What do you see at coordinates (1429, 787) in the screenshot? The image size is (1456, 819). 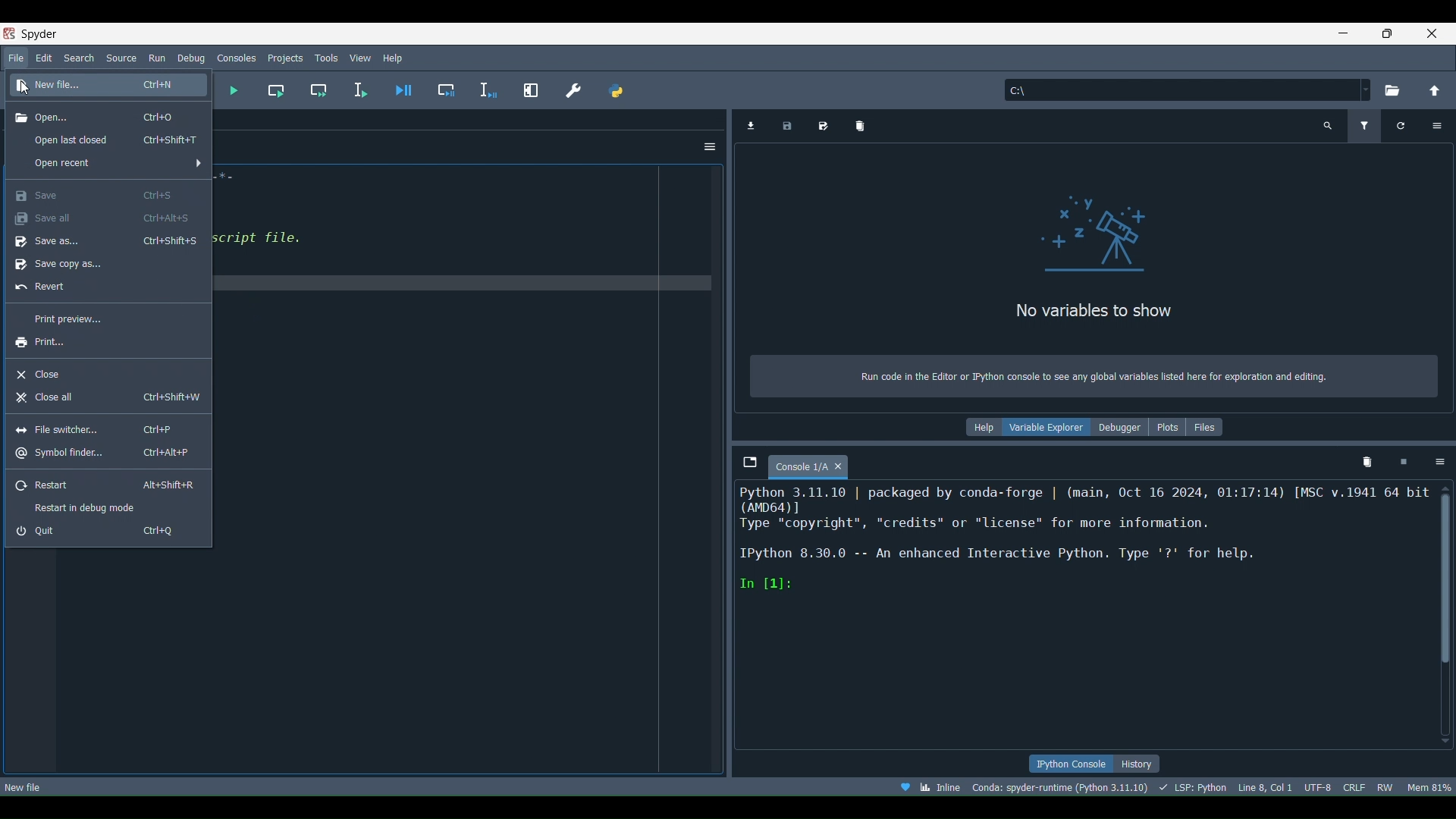 I see `Global memory usage` at bounding box center [1429, 787].